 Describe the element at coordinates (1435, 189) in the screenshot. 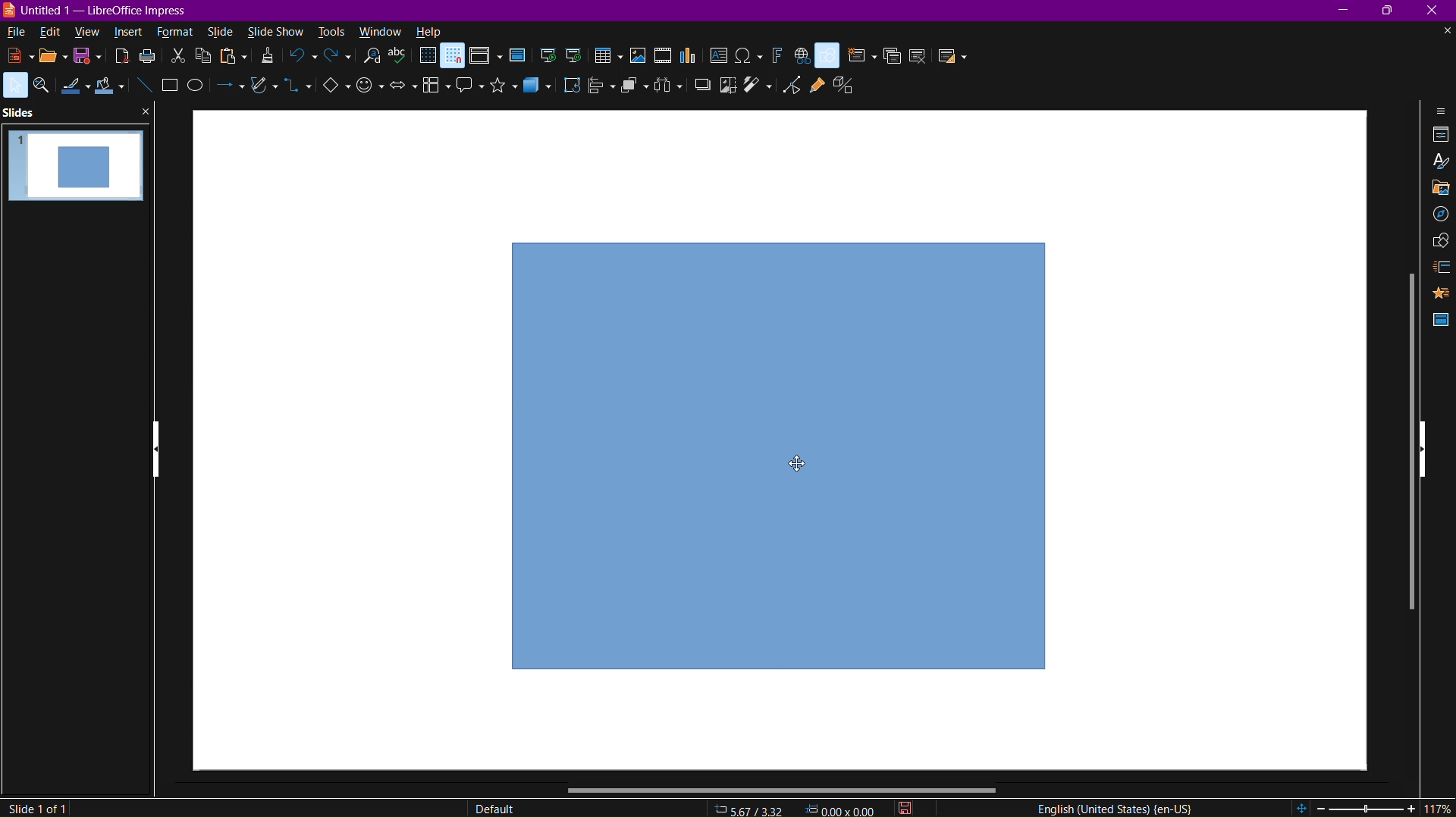

I see `Gallery` at that location.